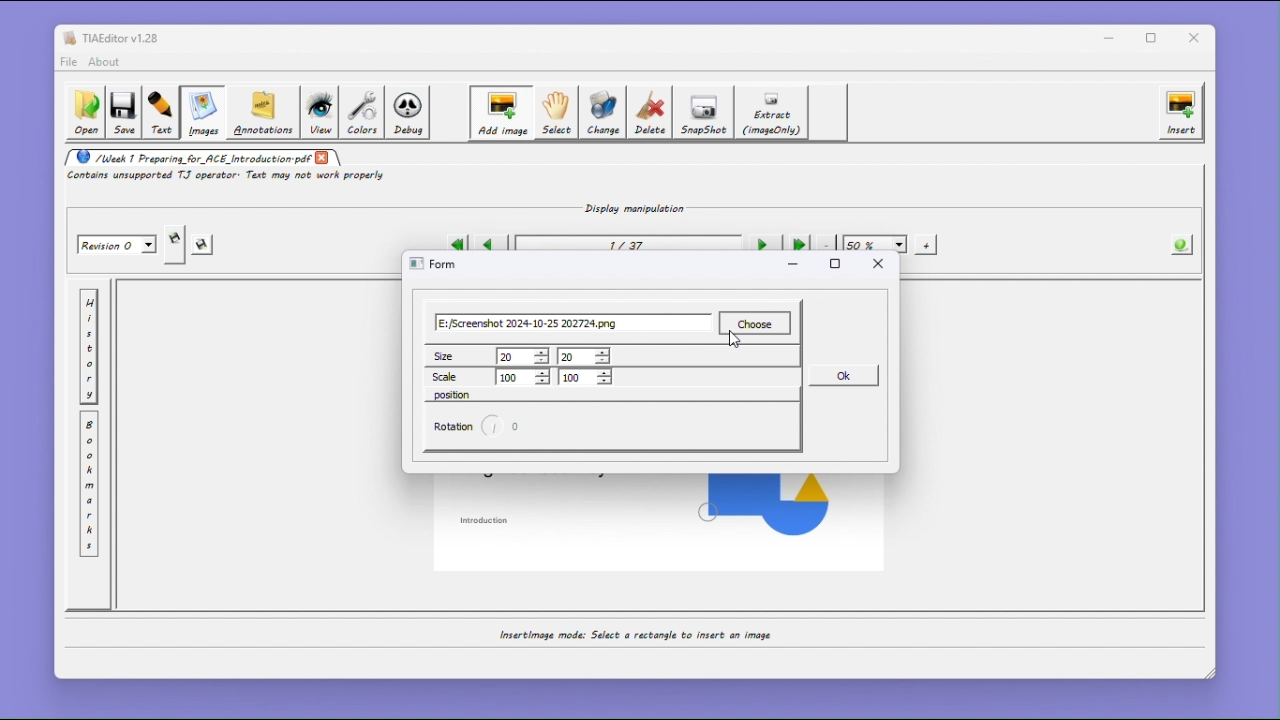 The height and width of the screenshot is (720, 1280). Describe the element at coordinates (188, 157) in the screenshot. I see `/Week 1 Preparing_for_ACE_Introduction.pdf` at that location.